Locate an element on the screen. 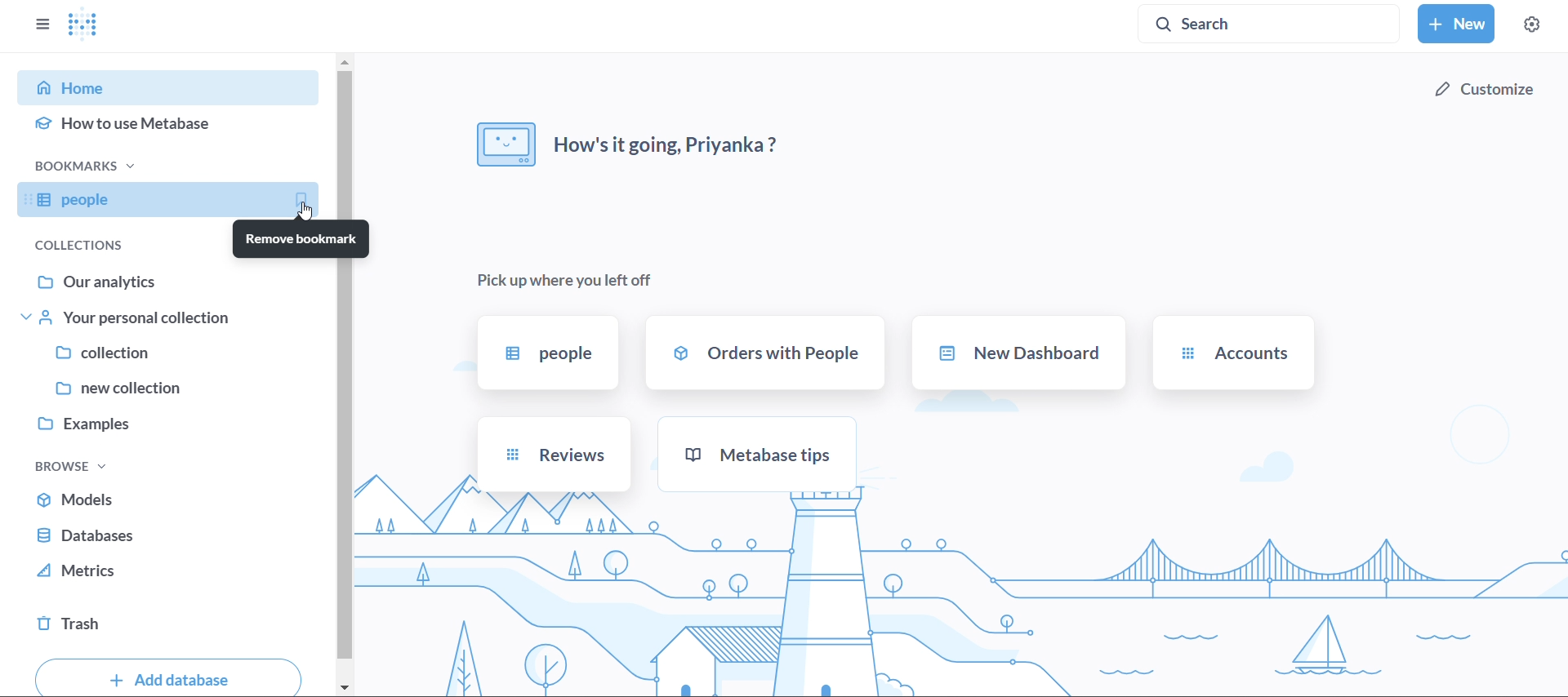 The width and height of the screenshot is (1568, 697). logo is located at coordinates (88, 24).